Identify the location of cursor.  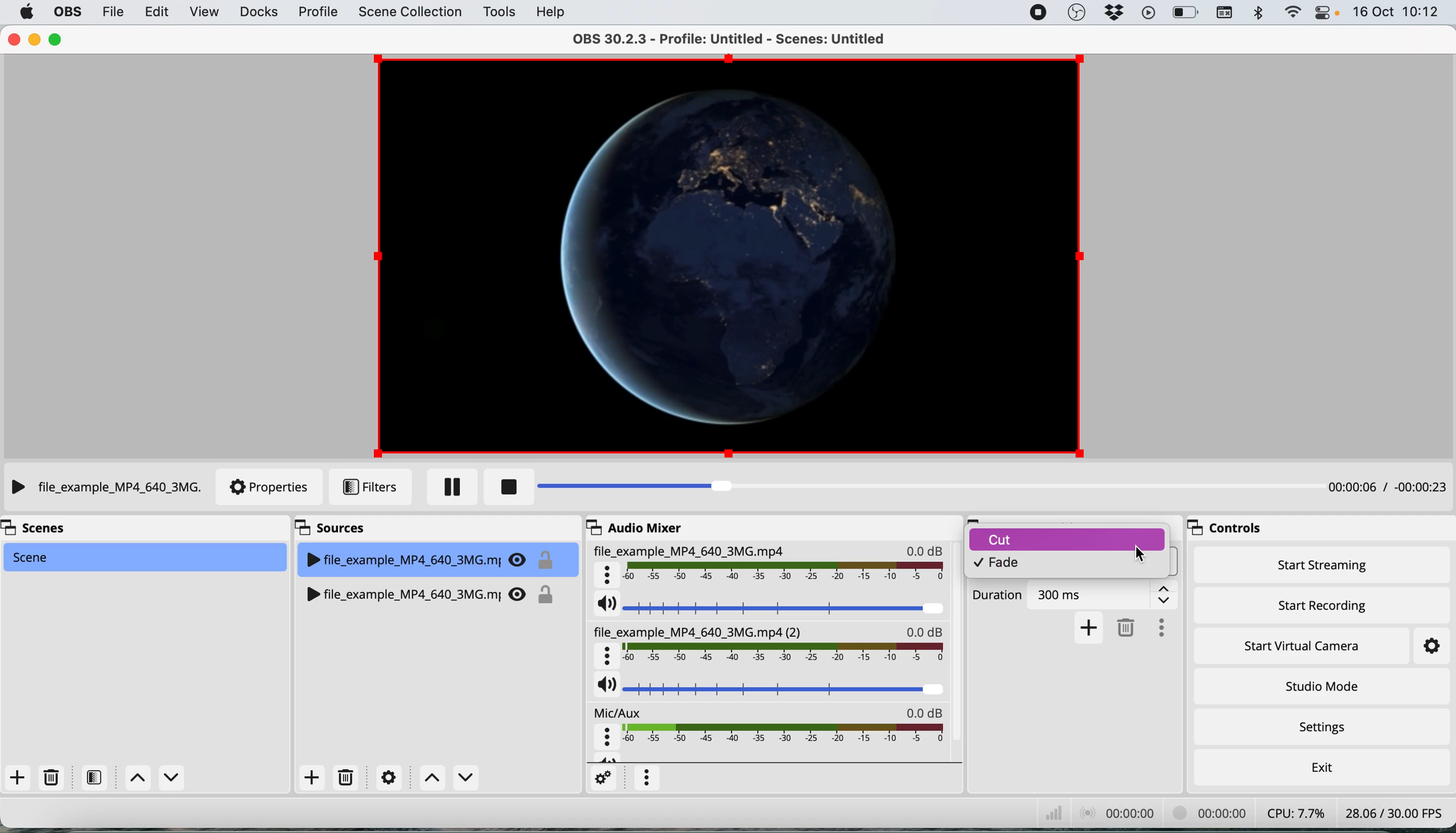
(1143, 557).